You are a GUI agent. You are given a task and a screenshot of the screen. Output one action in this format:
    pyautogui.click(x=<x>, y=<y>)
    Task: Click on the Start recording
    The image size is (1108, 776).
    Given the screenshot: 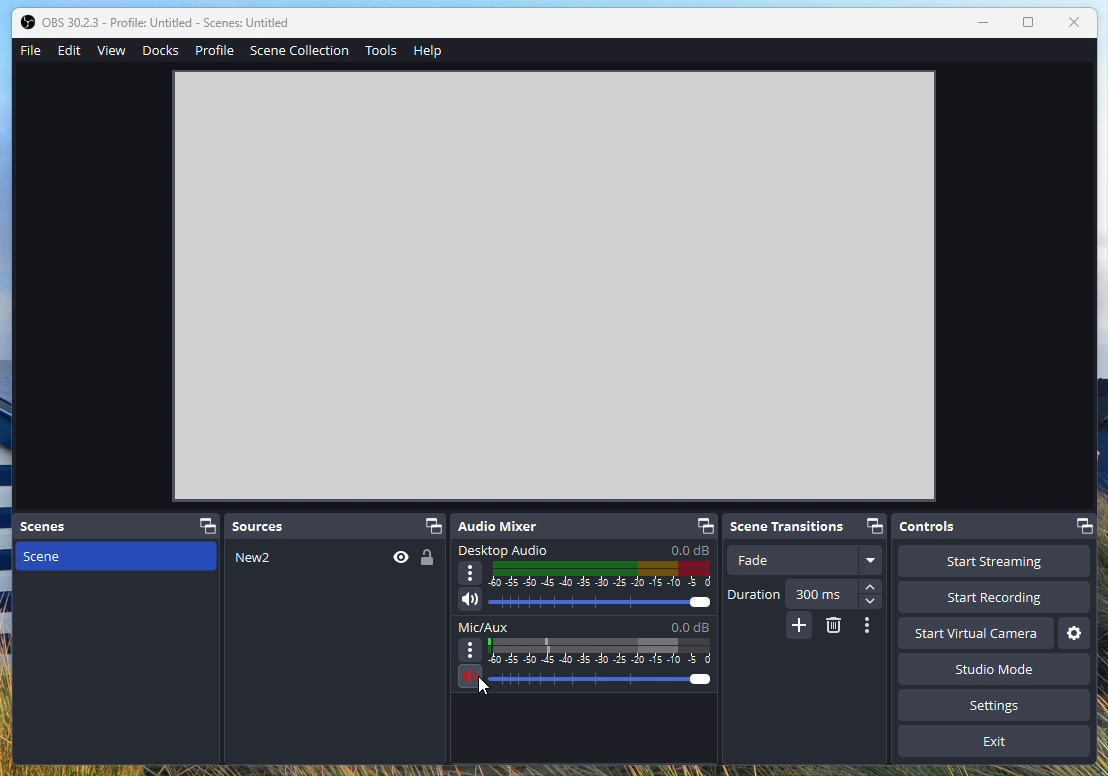 What is the action you would take?
    pyautogui.click(x=992, y=598)
    